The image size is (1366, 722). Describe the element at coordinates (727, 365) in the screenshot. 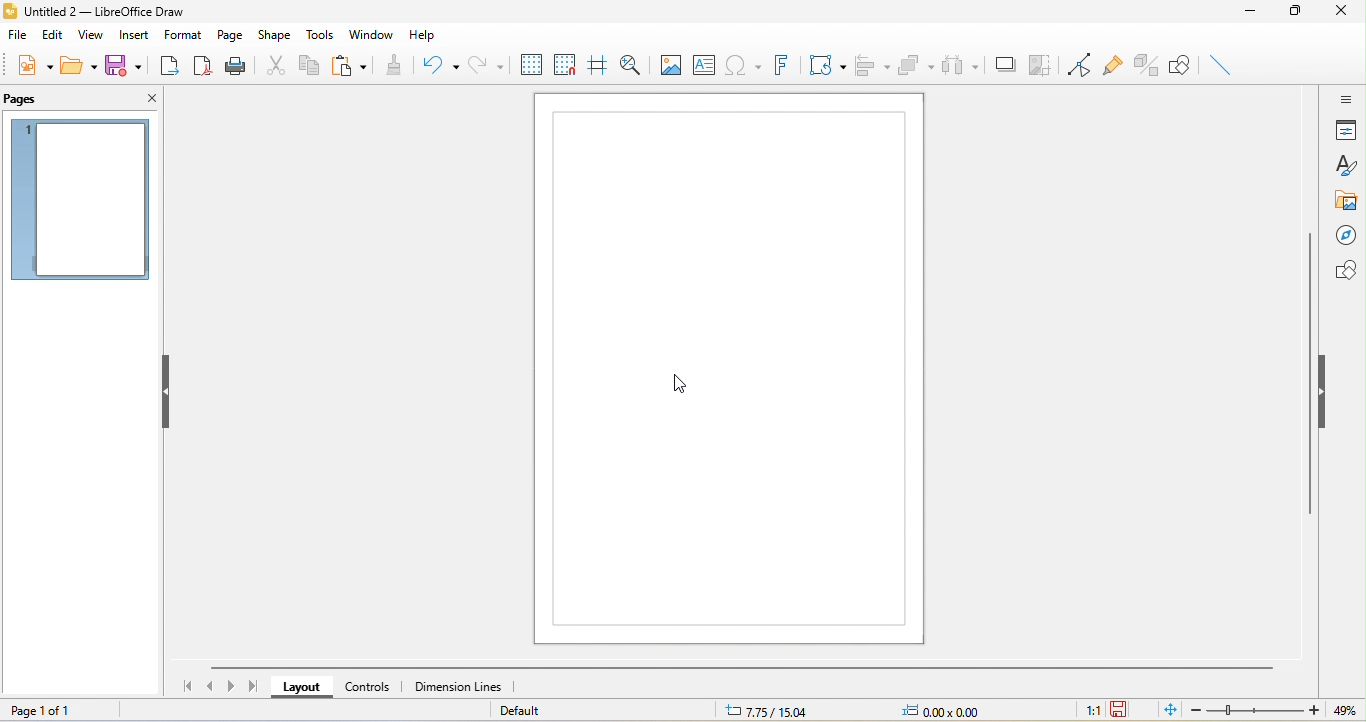

I see `page 1 canvas` at that location.